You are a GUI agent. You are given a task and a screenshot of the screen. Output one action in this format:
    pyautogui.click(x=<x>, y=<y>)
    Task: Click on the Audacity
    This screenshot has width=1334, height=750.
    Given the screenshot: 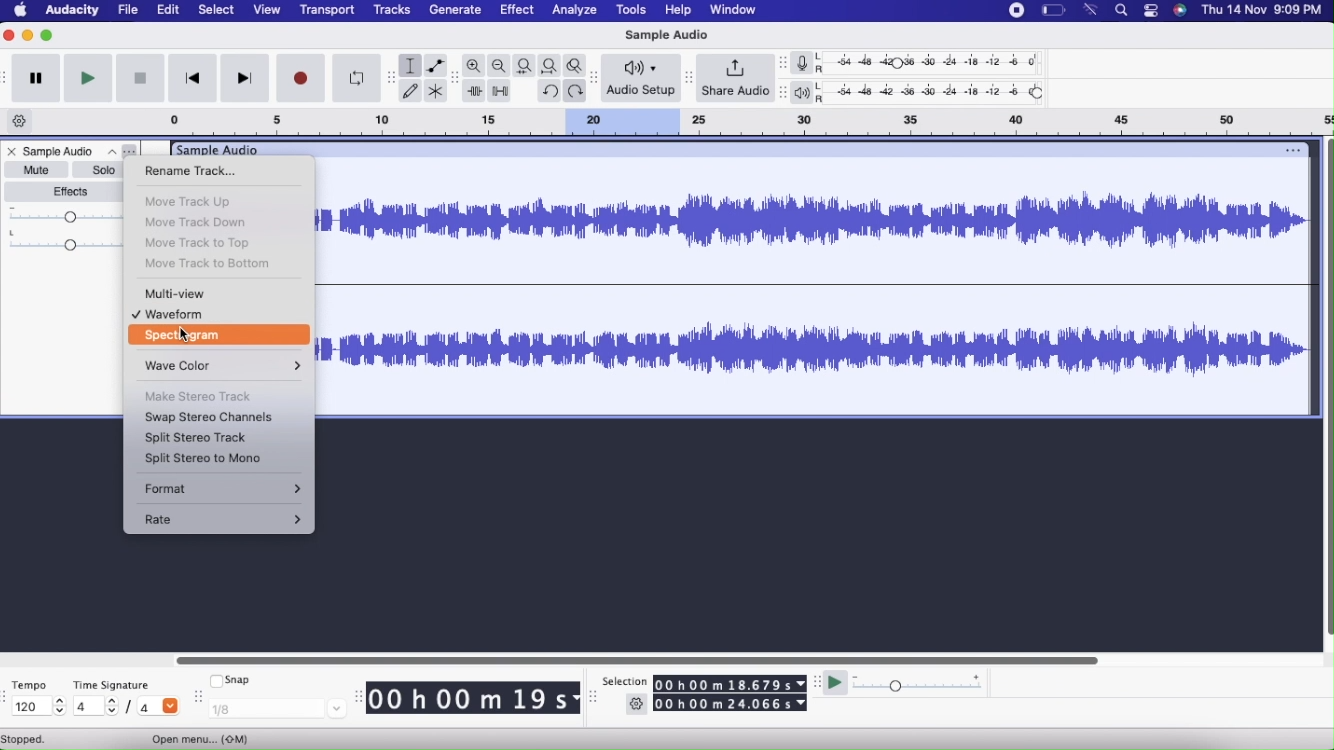 What is the action you would take?
    pyautogui.click(x=73, y=11)
    